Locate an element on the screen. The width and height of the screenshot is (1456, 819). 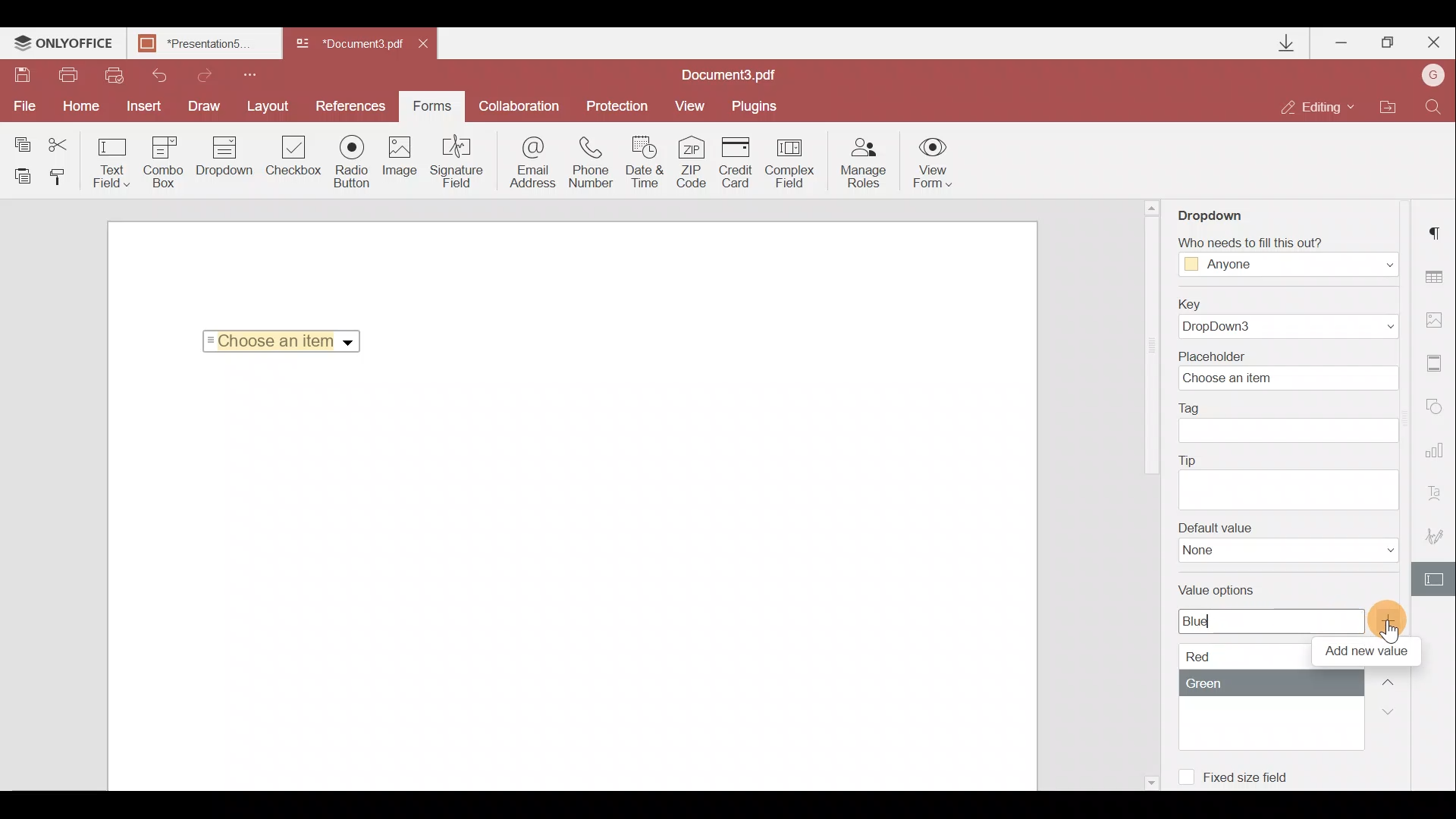
Complex field is located at coordinates (791, 162).